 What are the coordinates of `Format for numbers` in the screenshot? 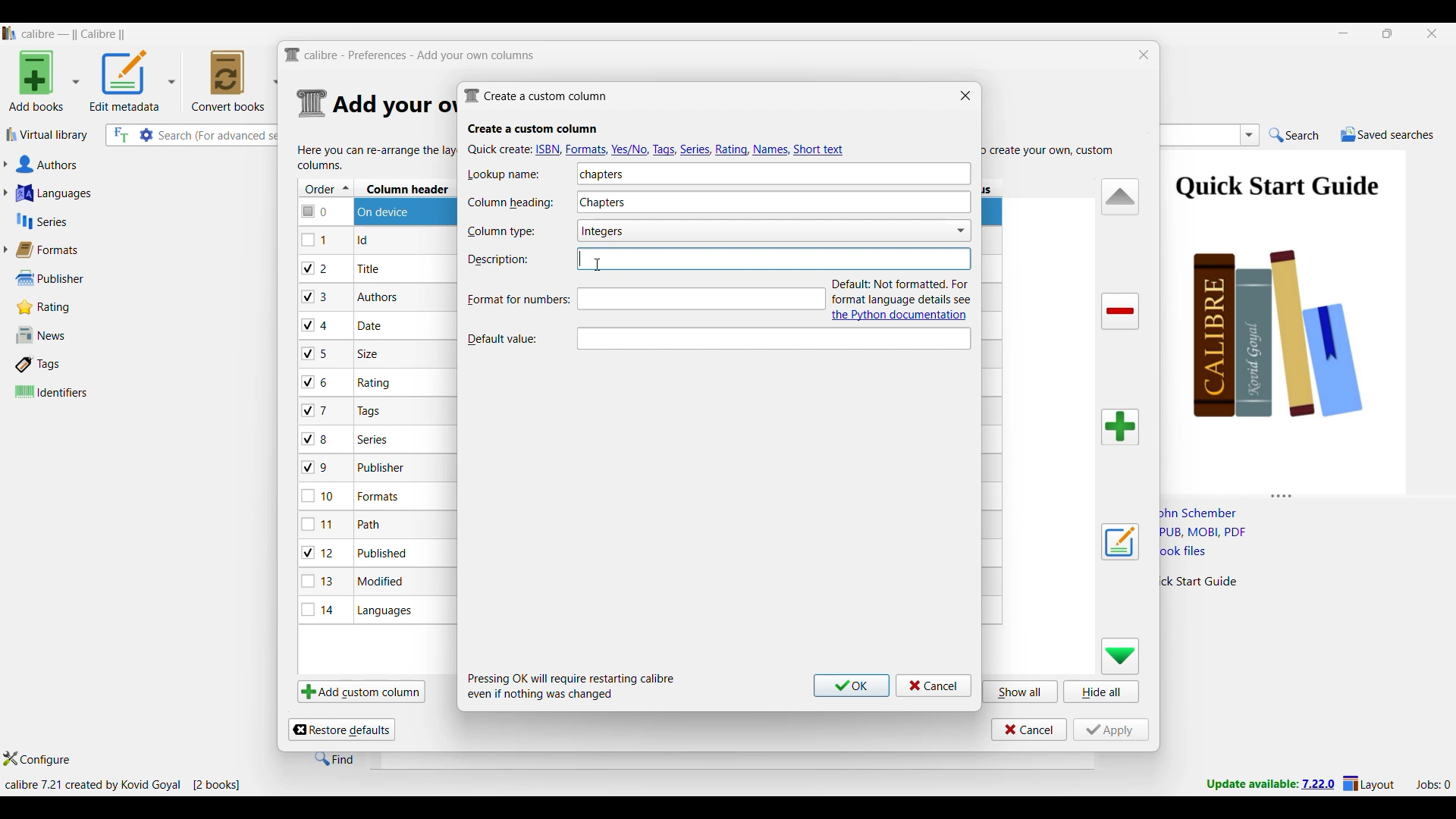 It's located at (513, 300).